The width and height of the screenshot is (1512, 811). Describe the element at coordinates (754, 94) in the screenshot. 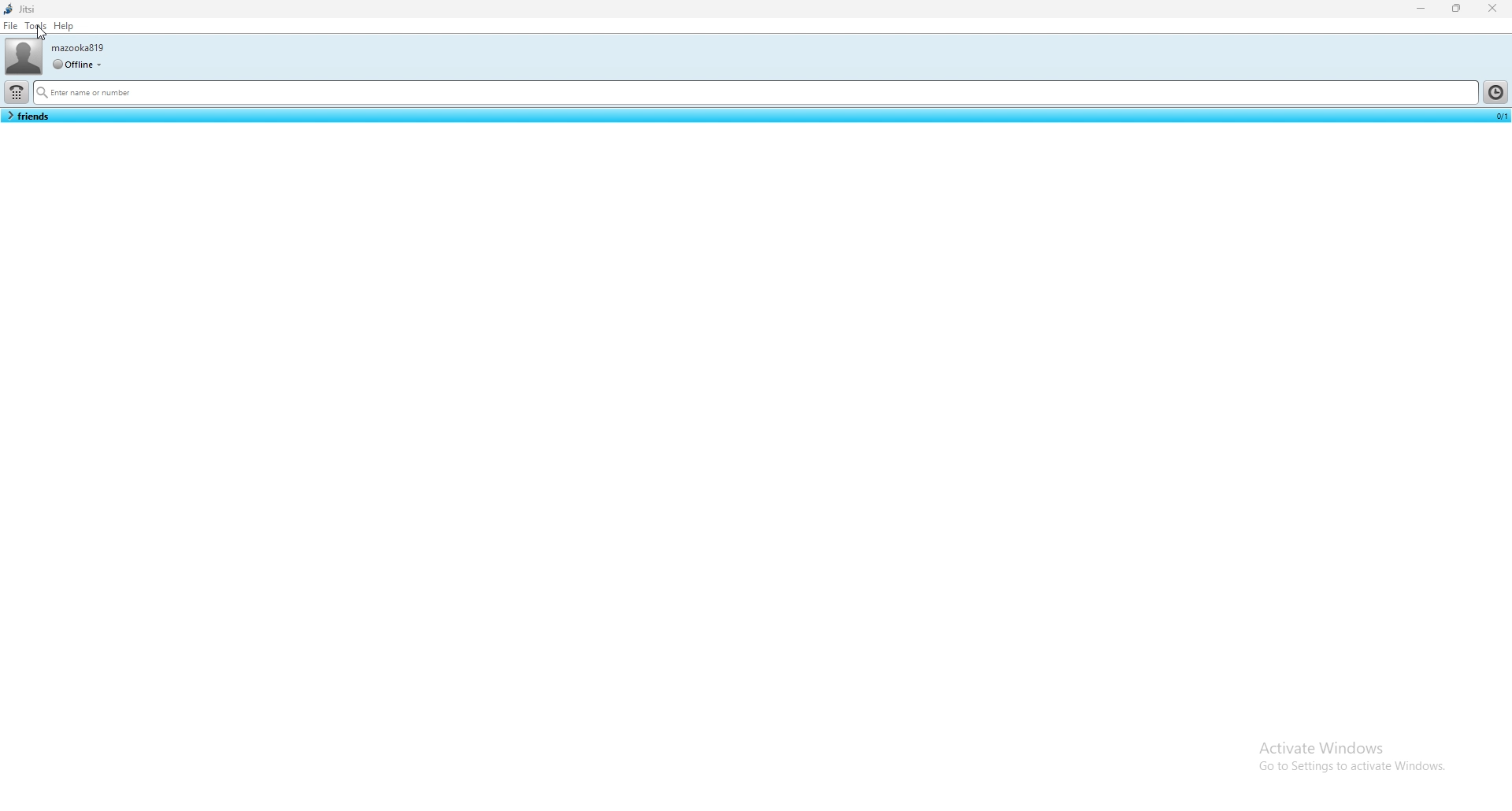

I see `search bar` at that location.